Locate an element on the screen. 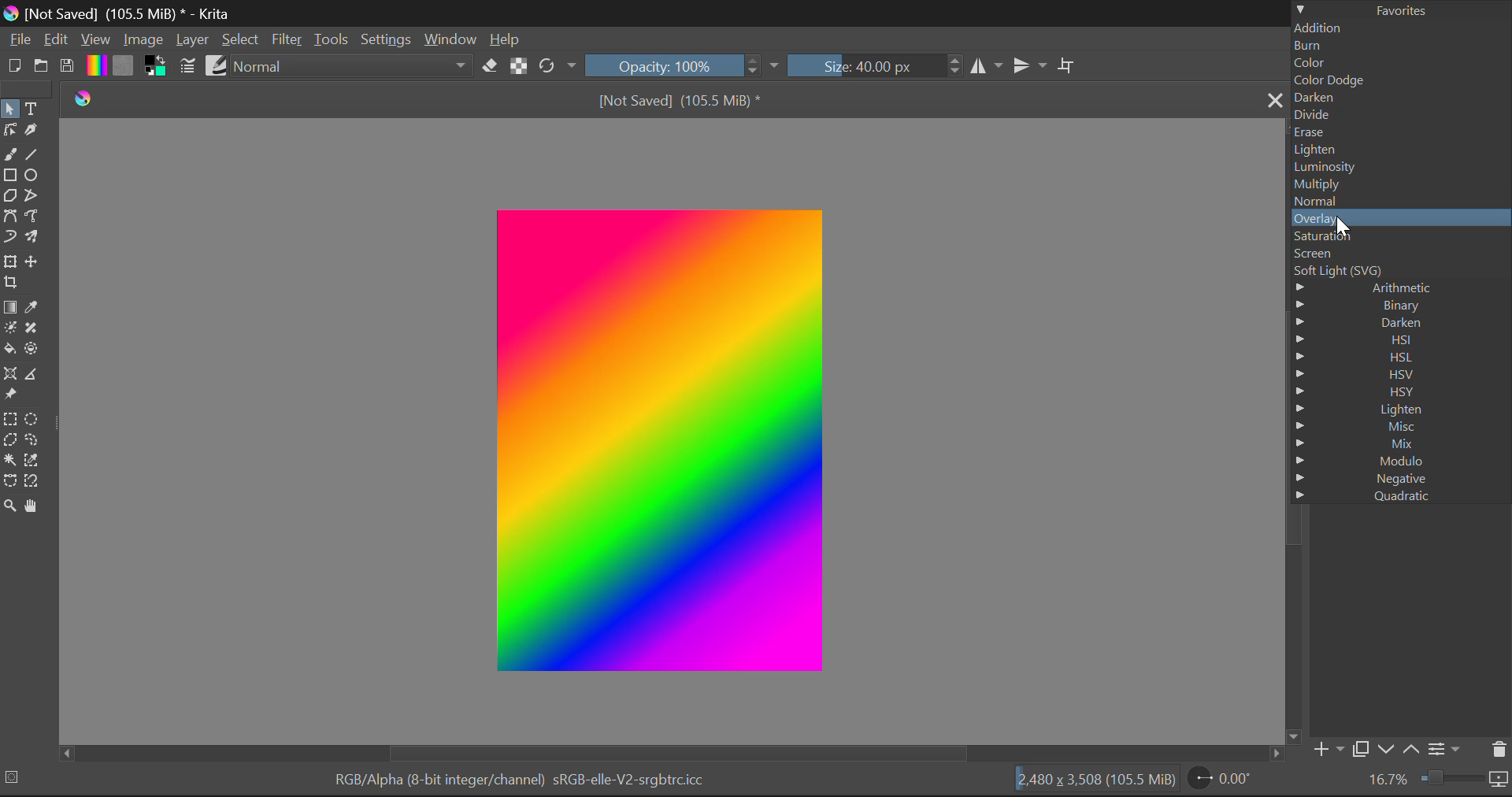 Image resolution: width=1512 pixels, height=797 pixels. Add Layer is located at coordinates (1329, 748).